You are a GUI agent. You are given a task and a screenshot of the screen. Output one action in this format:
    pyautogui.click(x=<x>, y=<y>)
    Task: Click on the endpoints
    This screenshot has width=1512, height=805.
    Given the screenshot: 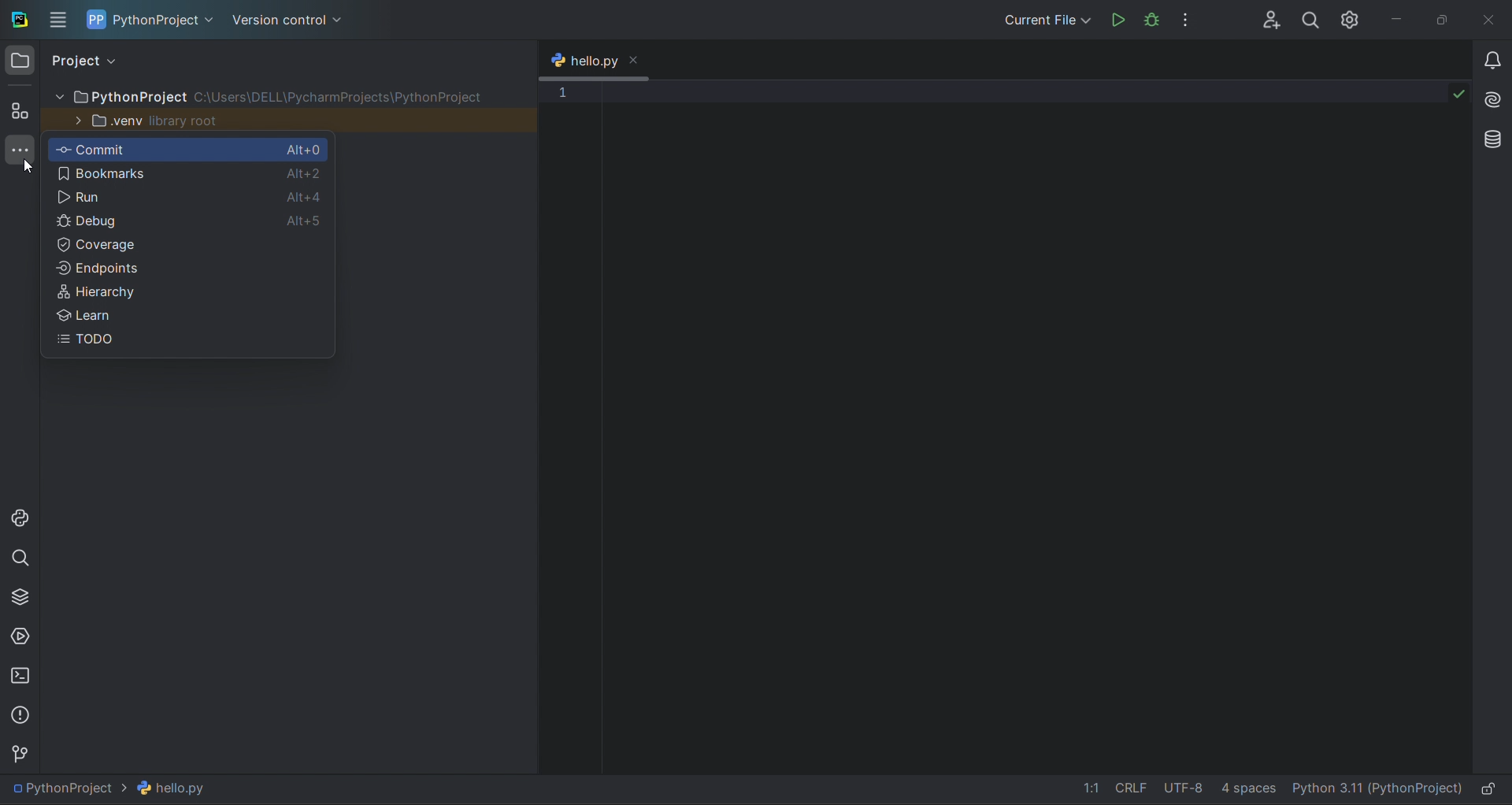 What is the action you would take?
    pyautogui.click(x=187, y=266)
    